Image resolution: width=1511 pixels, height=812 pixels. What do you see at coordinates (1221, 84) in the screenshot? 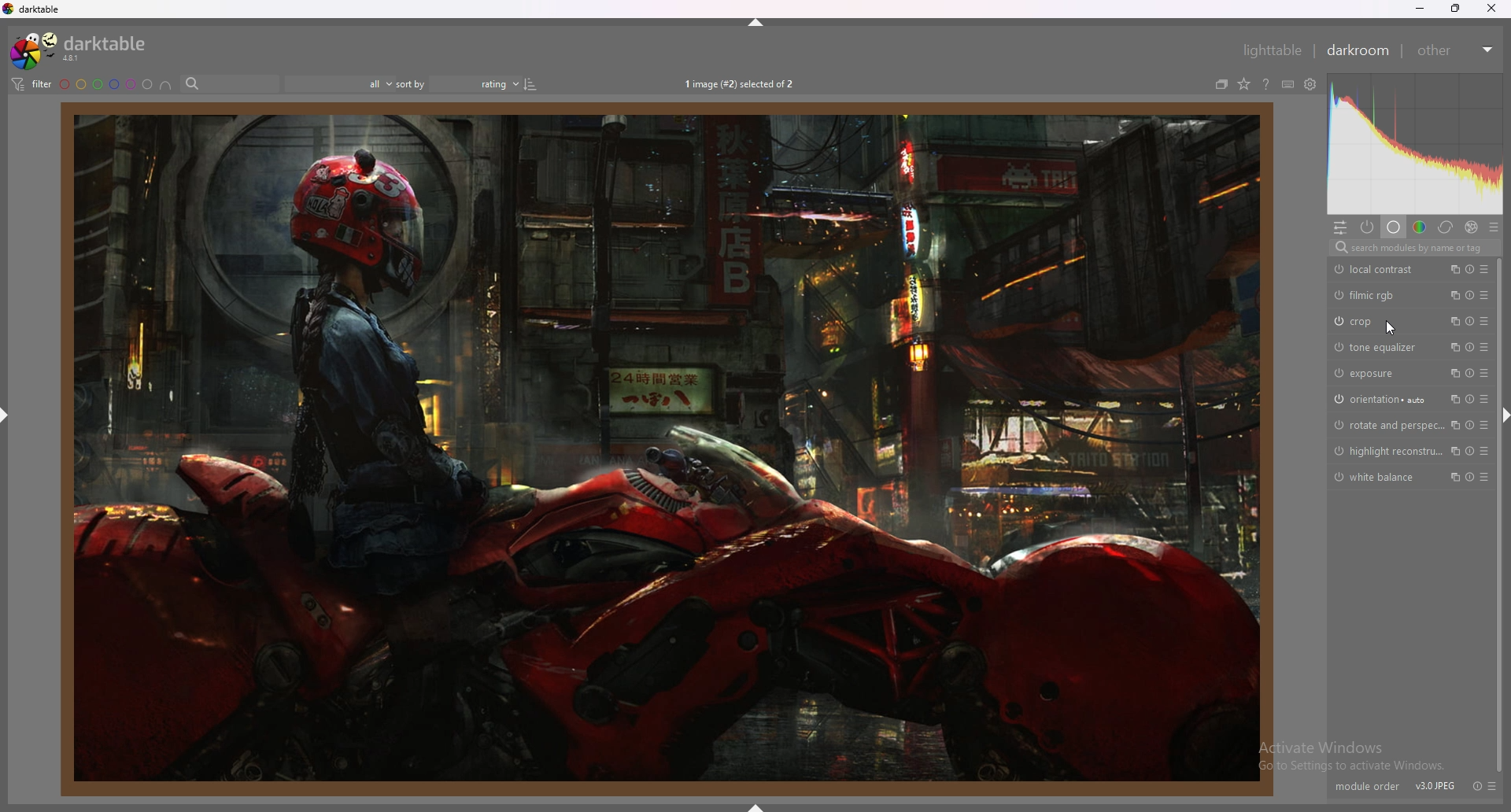
I see `collapse grouped images` at bounding box center [1221, 84].